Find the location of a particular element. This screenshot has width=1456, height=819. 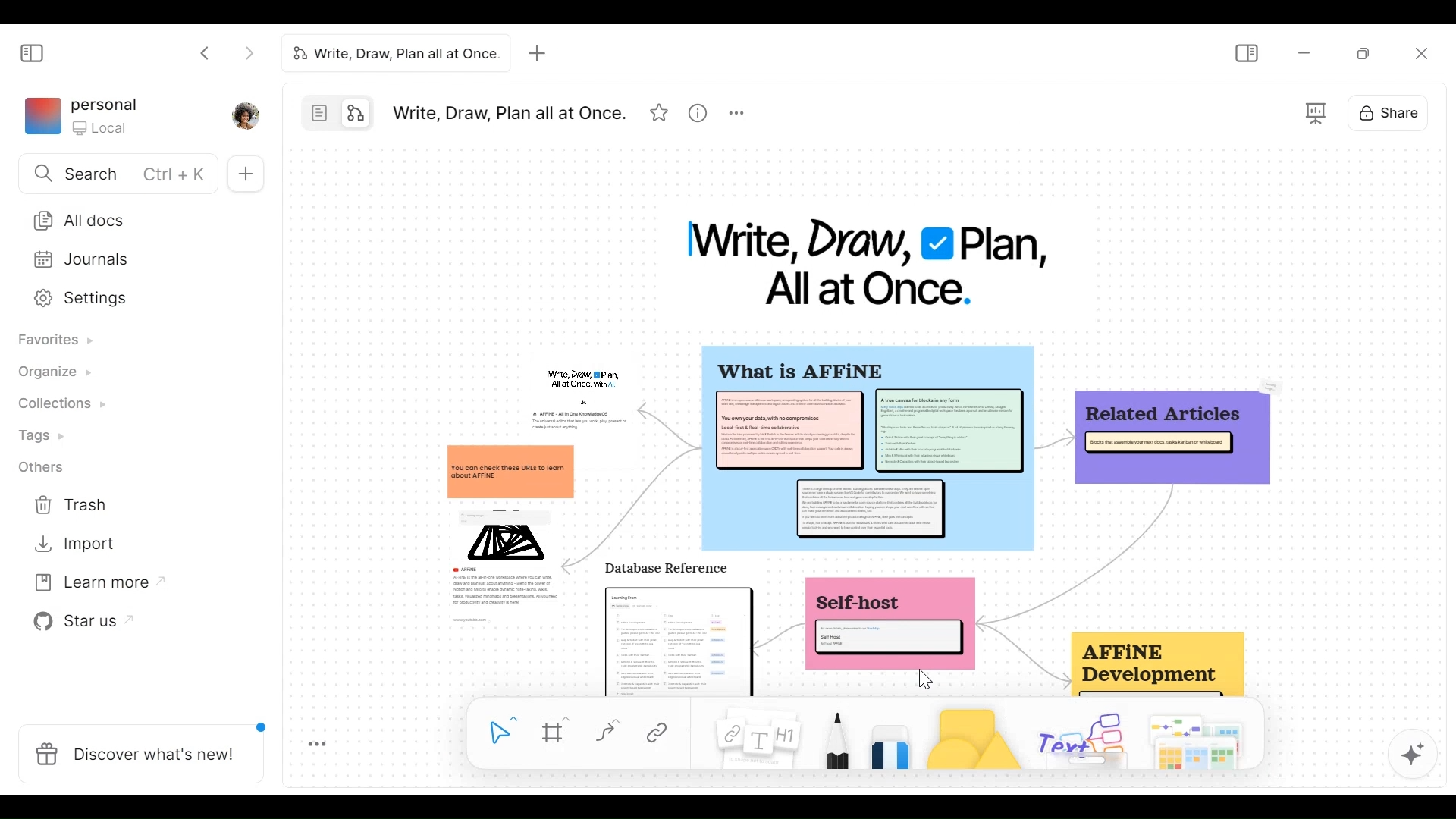

Others is located at coordinates (39, 466).